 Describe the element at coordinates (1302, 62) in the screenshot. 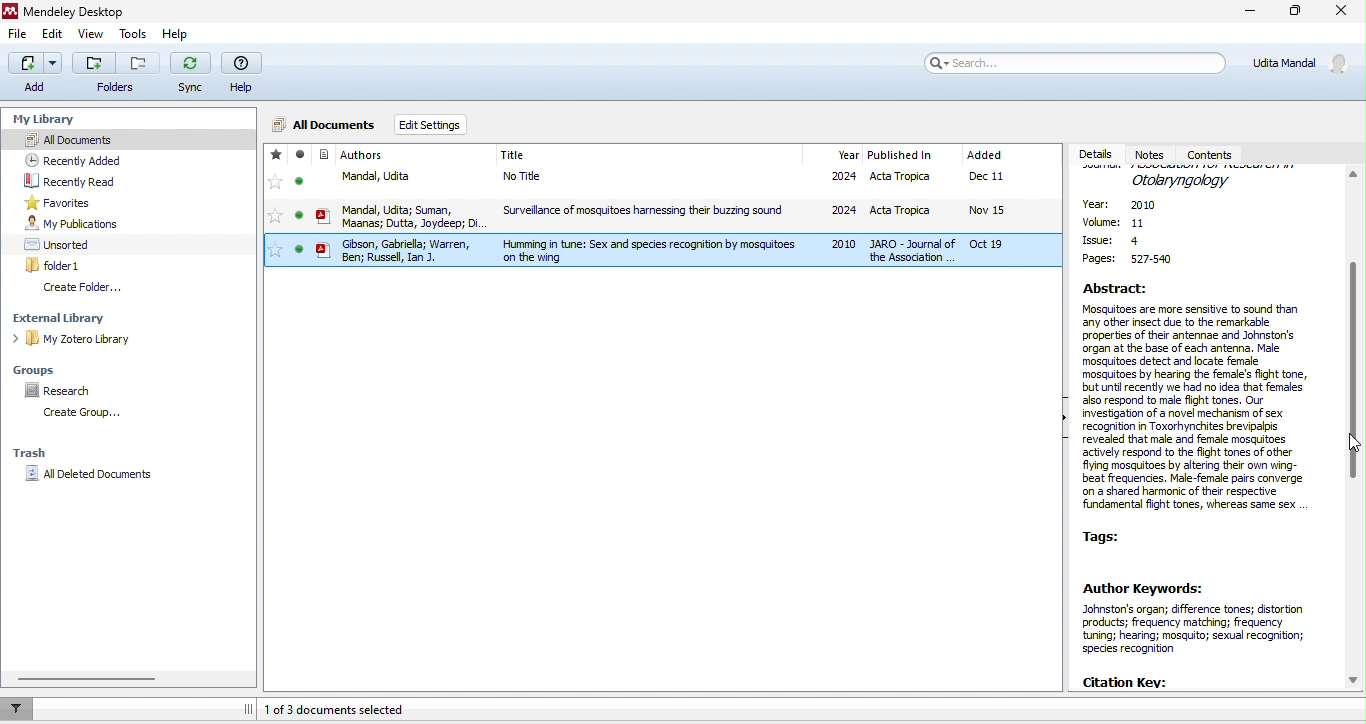

I see `account` at that location.